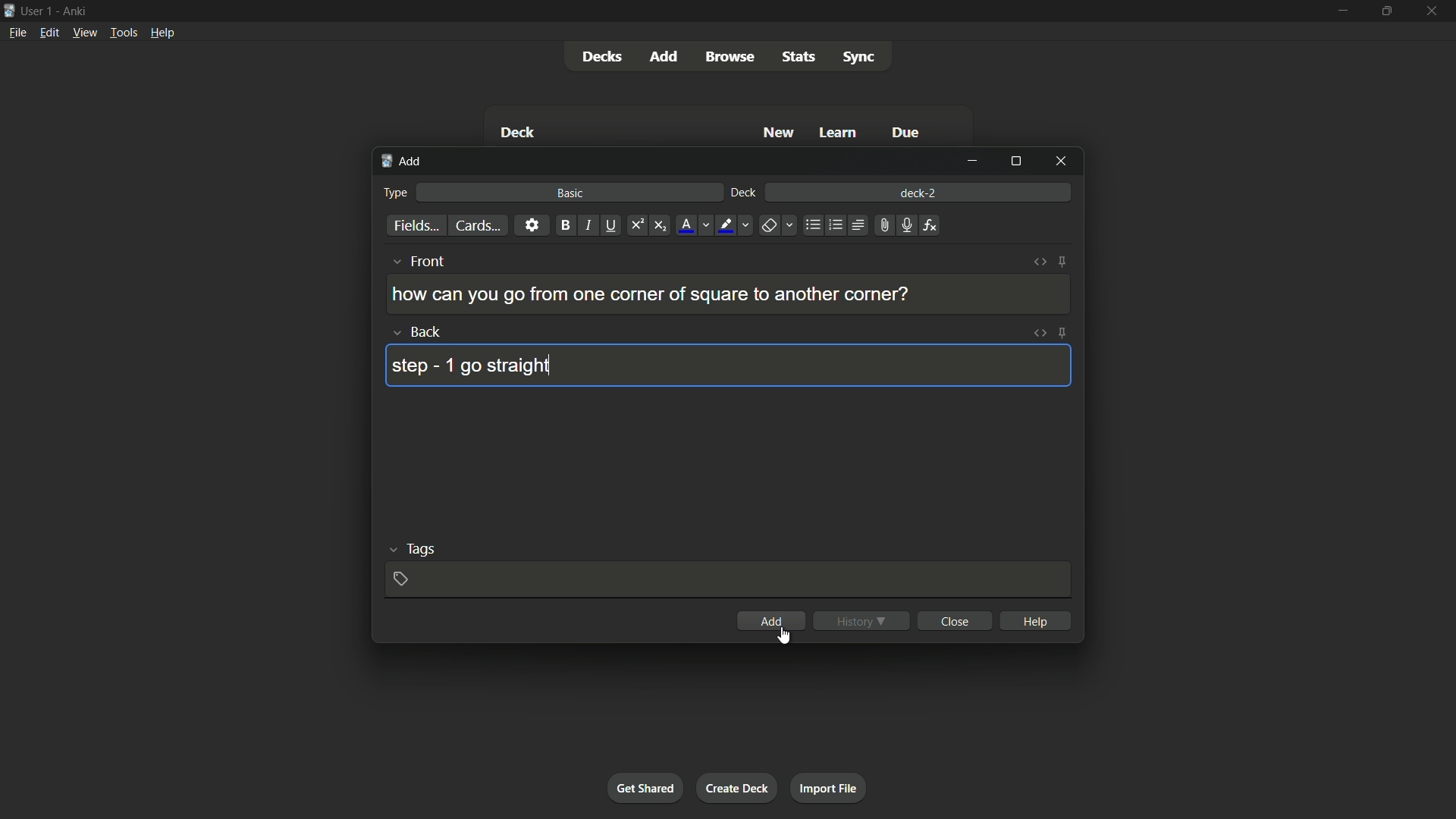 Image resolution: width=1456 pixels, height=819 pixels. Describe the element at coordinates (570, 193) in the screenshot. I see `basic` at that location.